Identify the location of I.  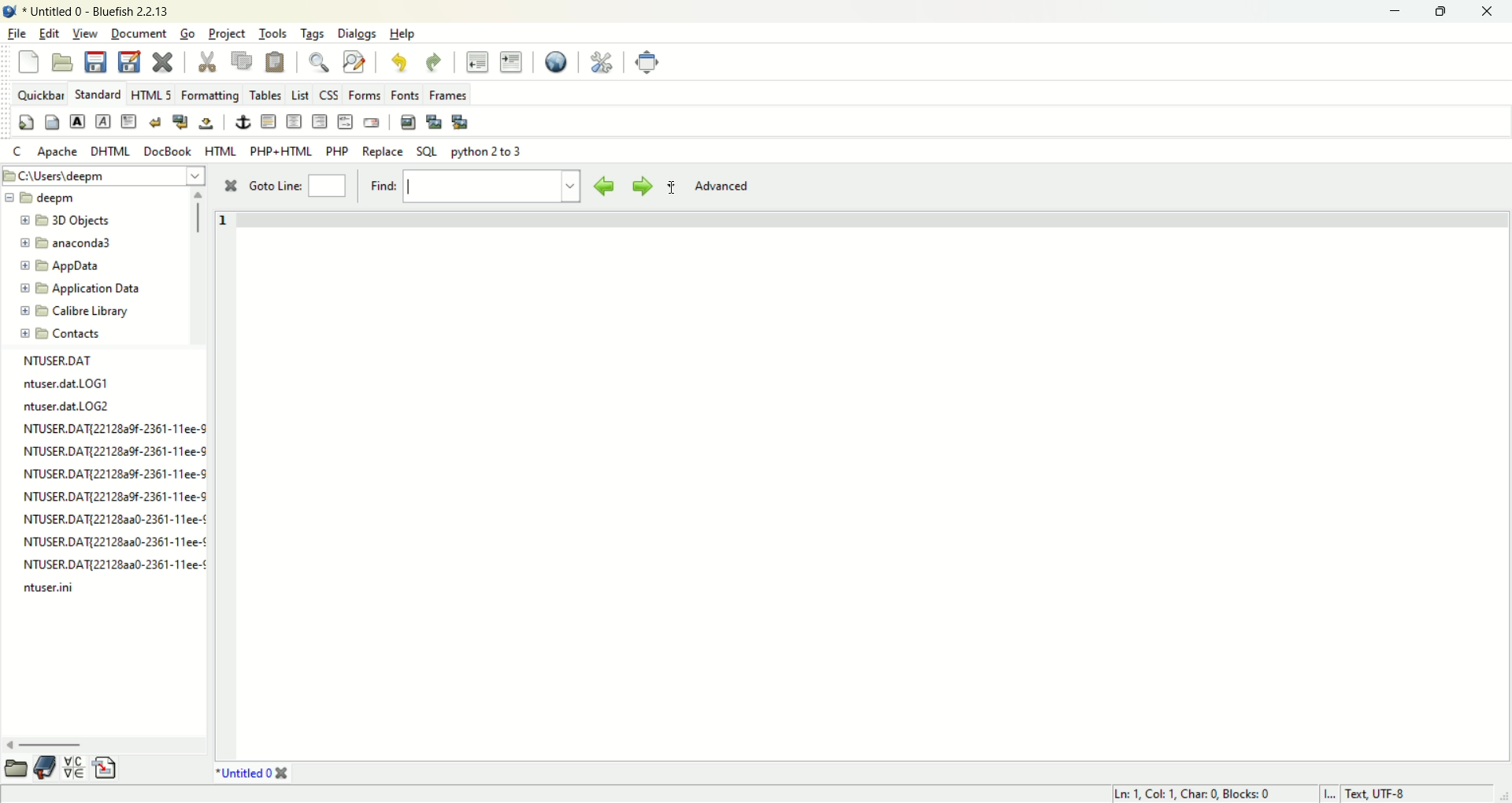
(1333, 794).